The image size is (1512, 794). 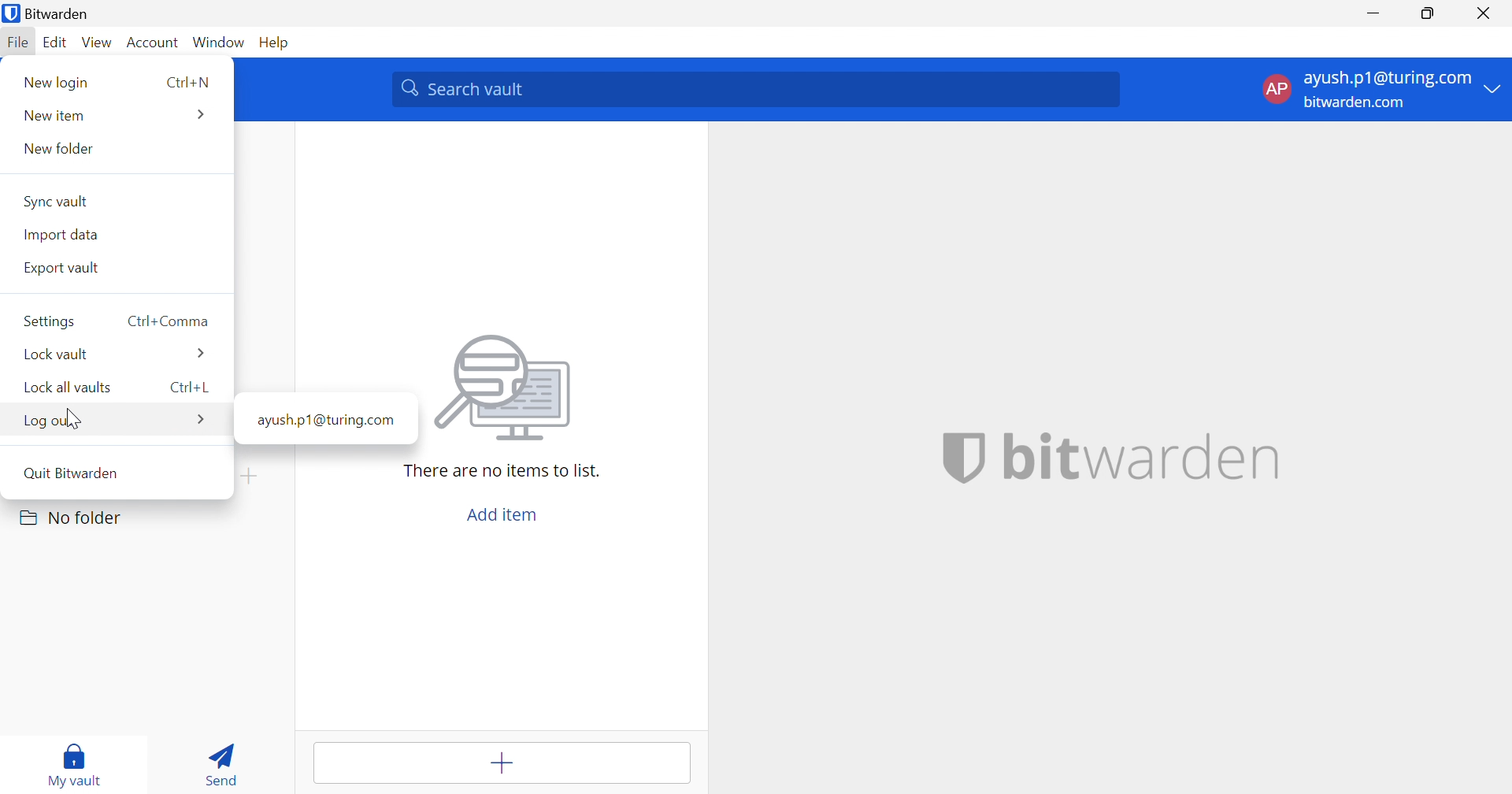 What do you see at coordinates (199, 355) in the screenshot?
I see `More` at bounding box center [199, 355].